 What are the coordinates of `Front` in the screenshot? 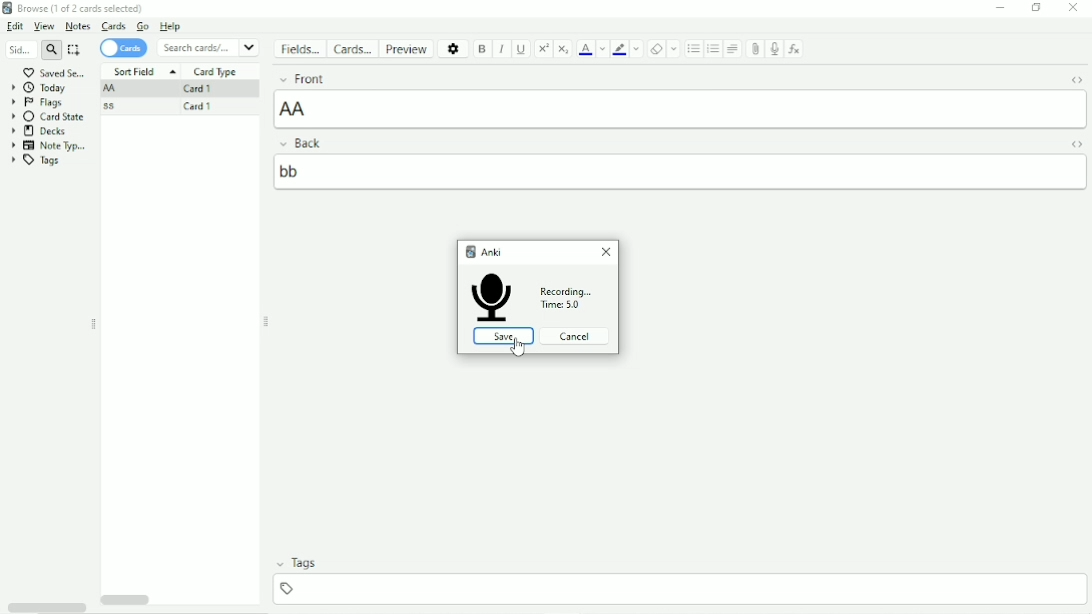 It's located at (428, 79).